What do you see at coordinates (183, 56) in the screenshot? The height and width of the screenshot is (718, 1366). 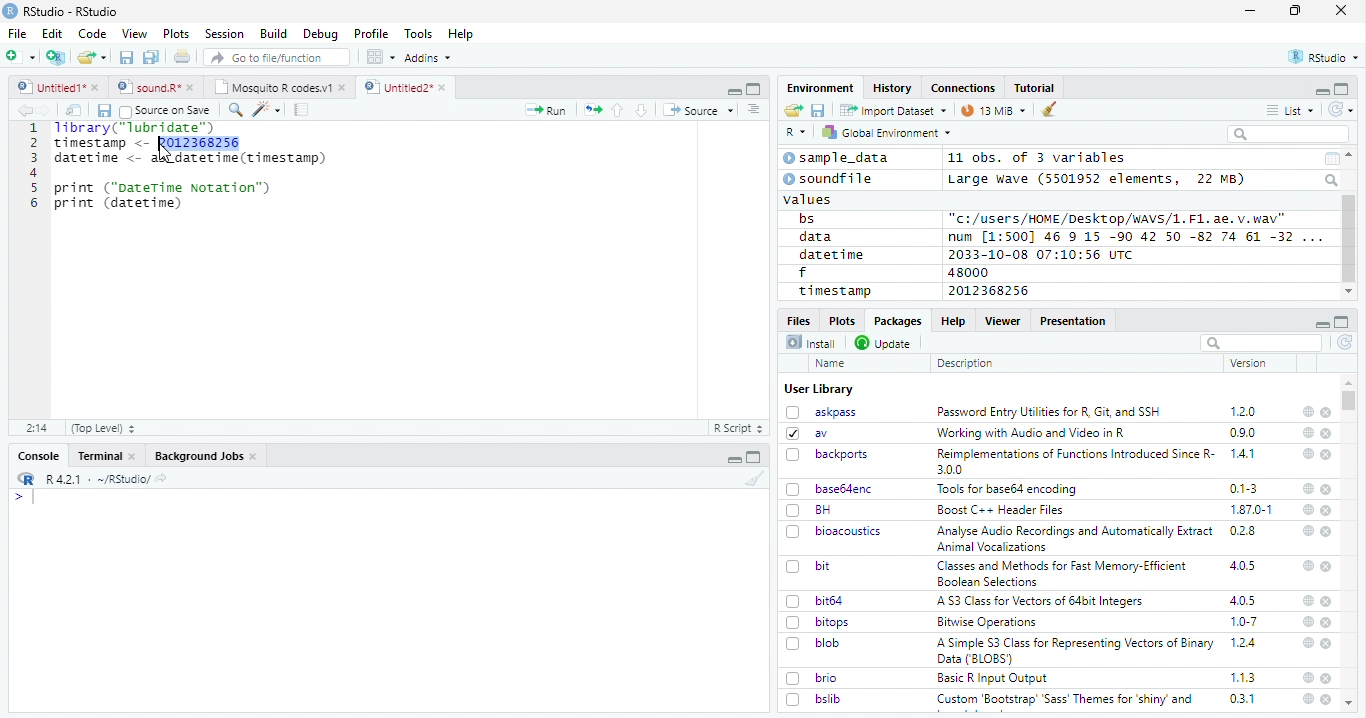 I see `Print` at bounding box center [183, 56].